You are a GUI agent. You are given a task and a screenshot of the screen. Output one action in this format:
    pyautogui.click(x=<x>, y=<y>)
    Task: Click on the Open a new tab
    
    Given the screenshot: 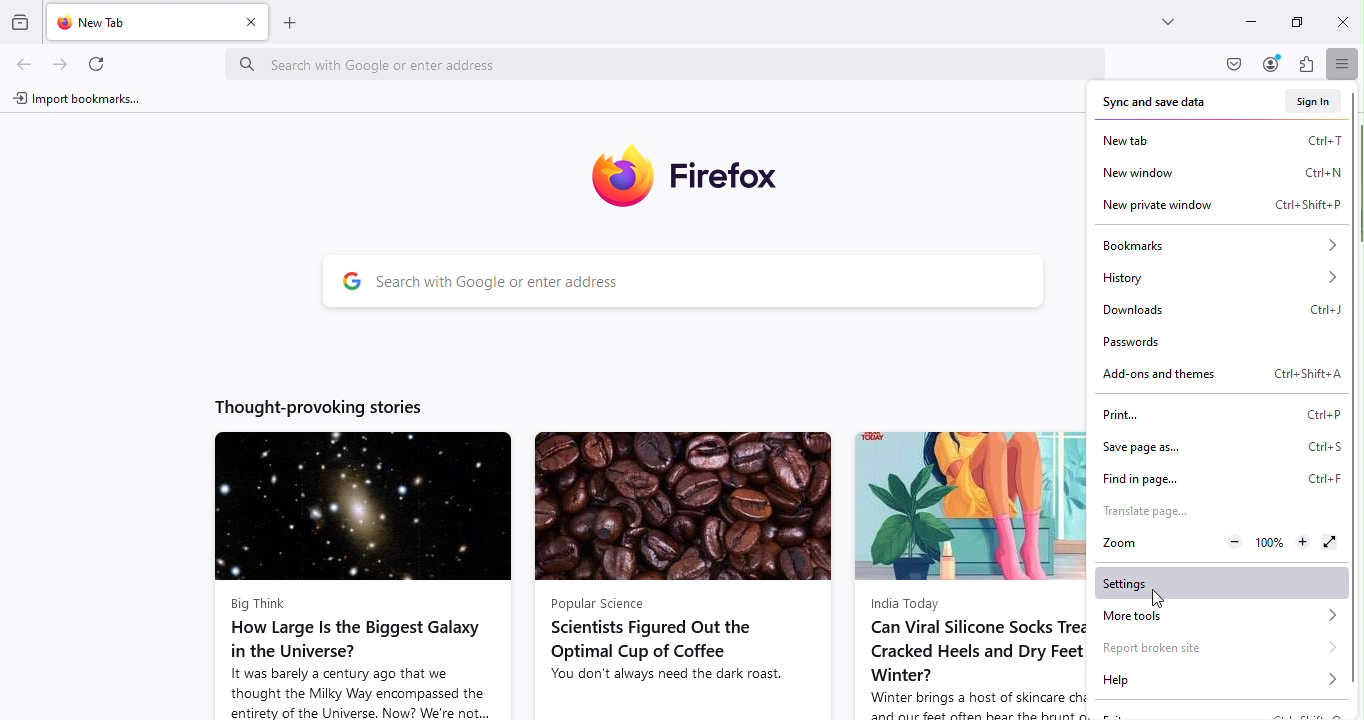 What is the action you would take?
    pyautogui.click(x=291, y=22)
    